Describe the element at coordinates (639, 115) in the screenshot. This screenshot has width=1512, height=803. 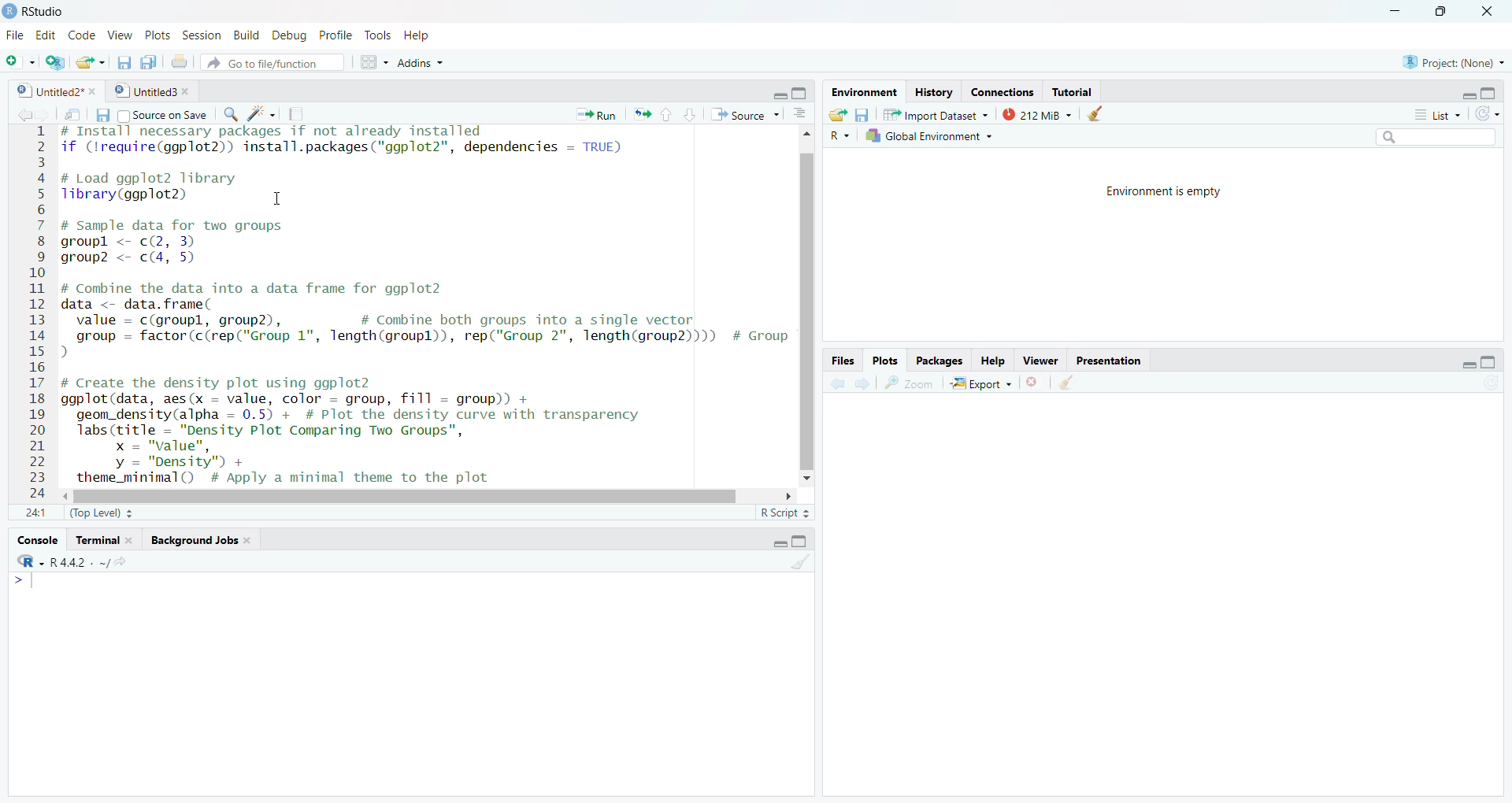
I see `arrows` at that location.